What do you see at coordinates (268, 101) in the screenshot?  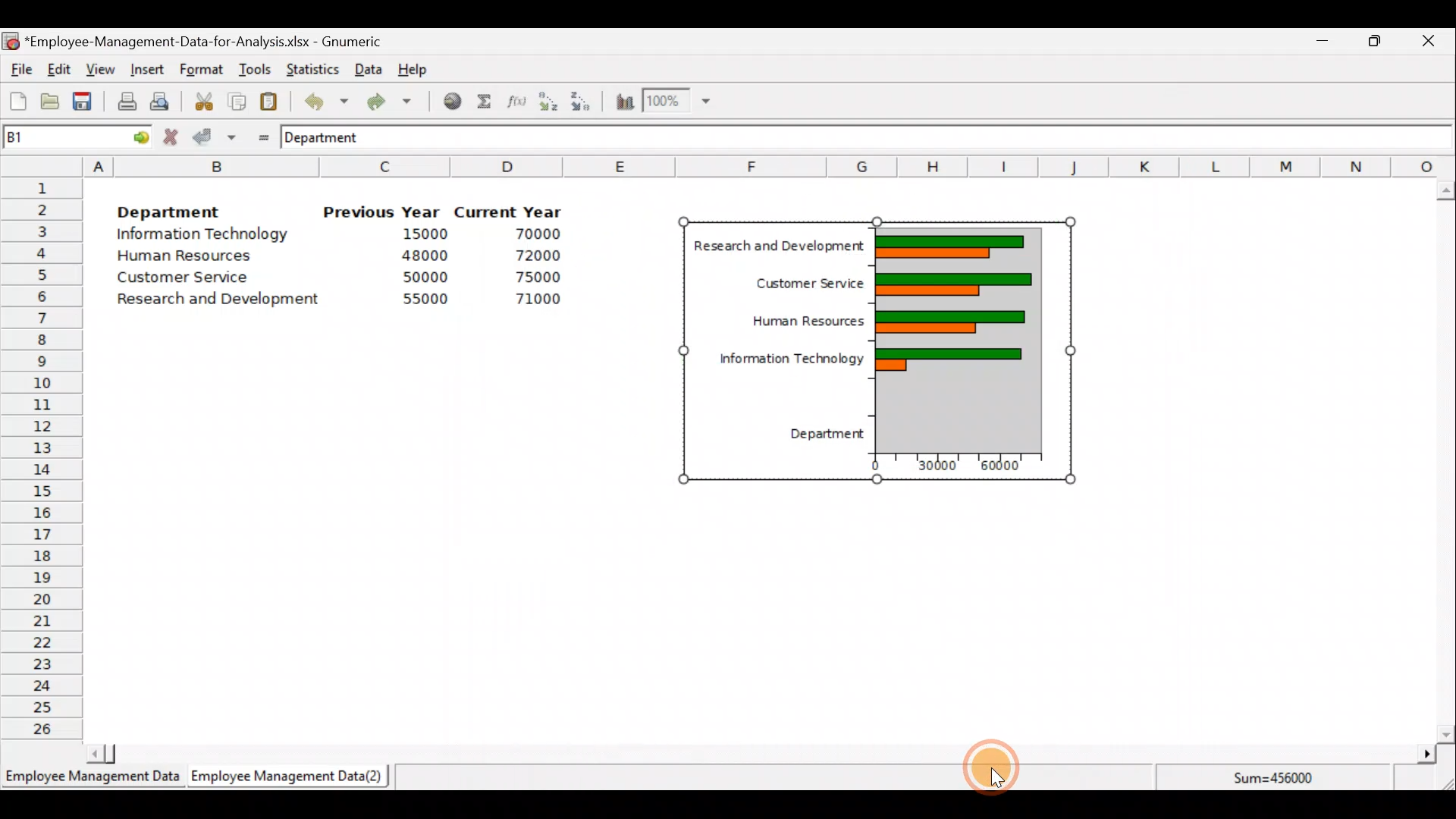 I see `Paste the clipboard` at bounding box center [268, 101].